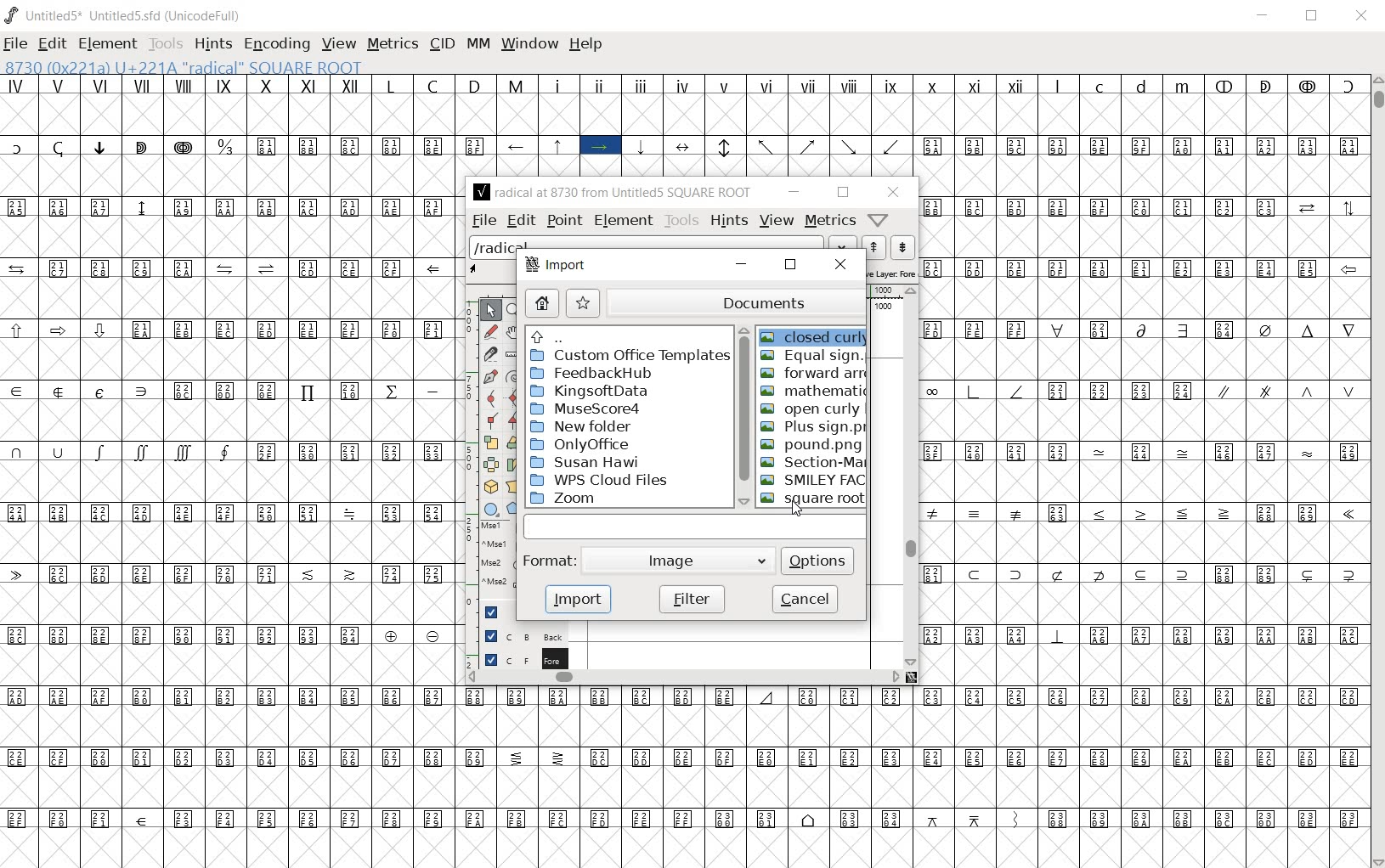  What do you see at coordinates (337, 44) in the screenshot?
I see `VIEW` at bounding box center [337, 44].